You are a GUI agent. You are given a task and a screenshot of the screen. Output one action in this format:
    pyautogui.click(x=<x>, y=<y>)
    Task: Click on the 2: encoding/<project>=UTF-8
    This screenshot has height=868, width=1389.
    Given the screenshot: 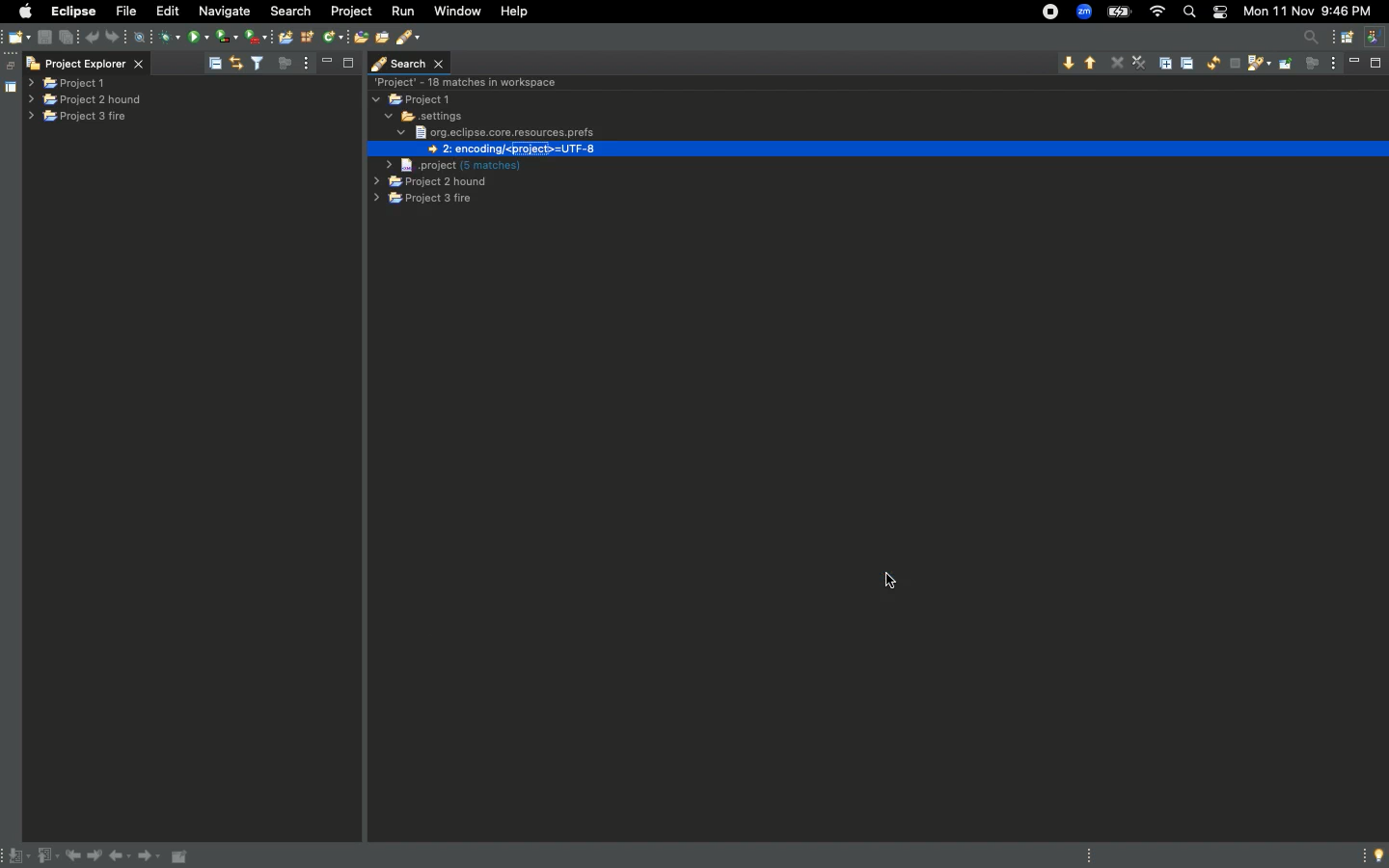 What is the action you would take?
    pyautogui.click(x=506, y=149)
    